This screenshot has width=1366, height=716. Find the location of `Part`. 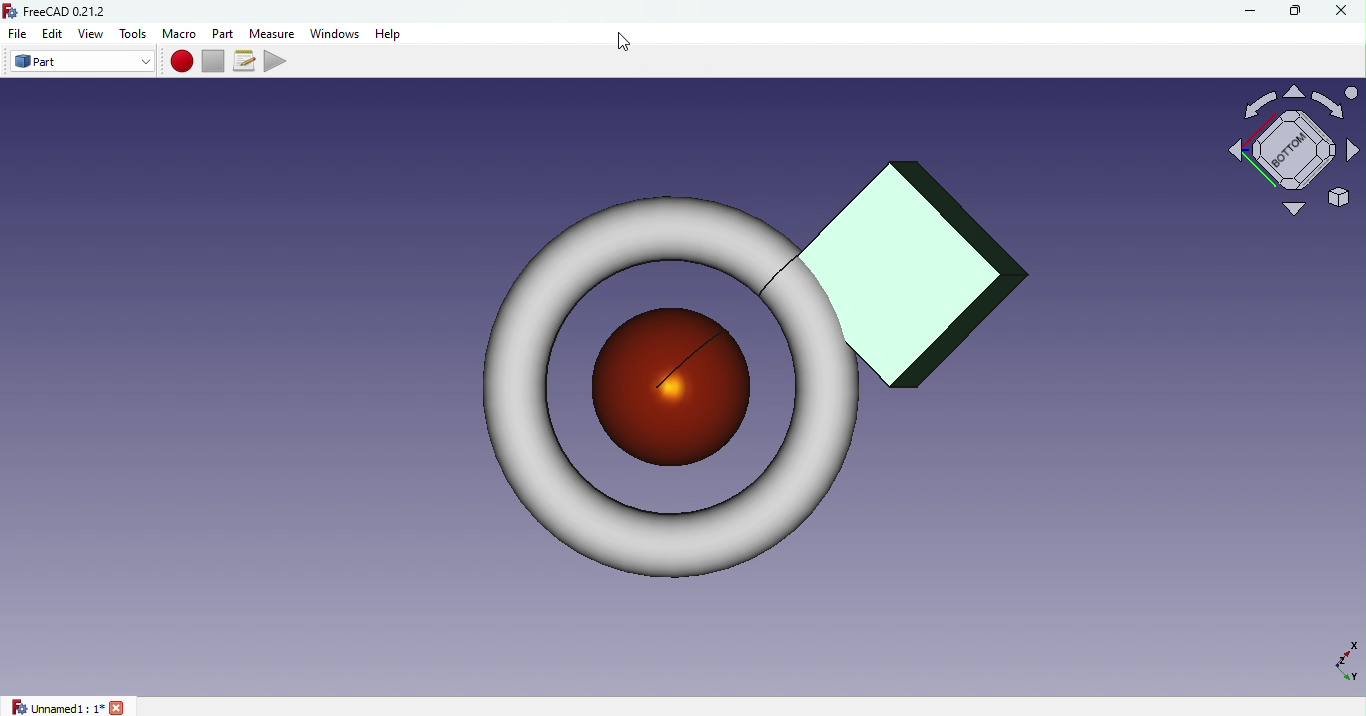

Part is located at coordinates (224, 32).